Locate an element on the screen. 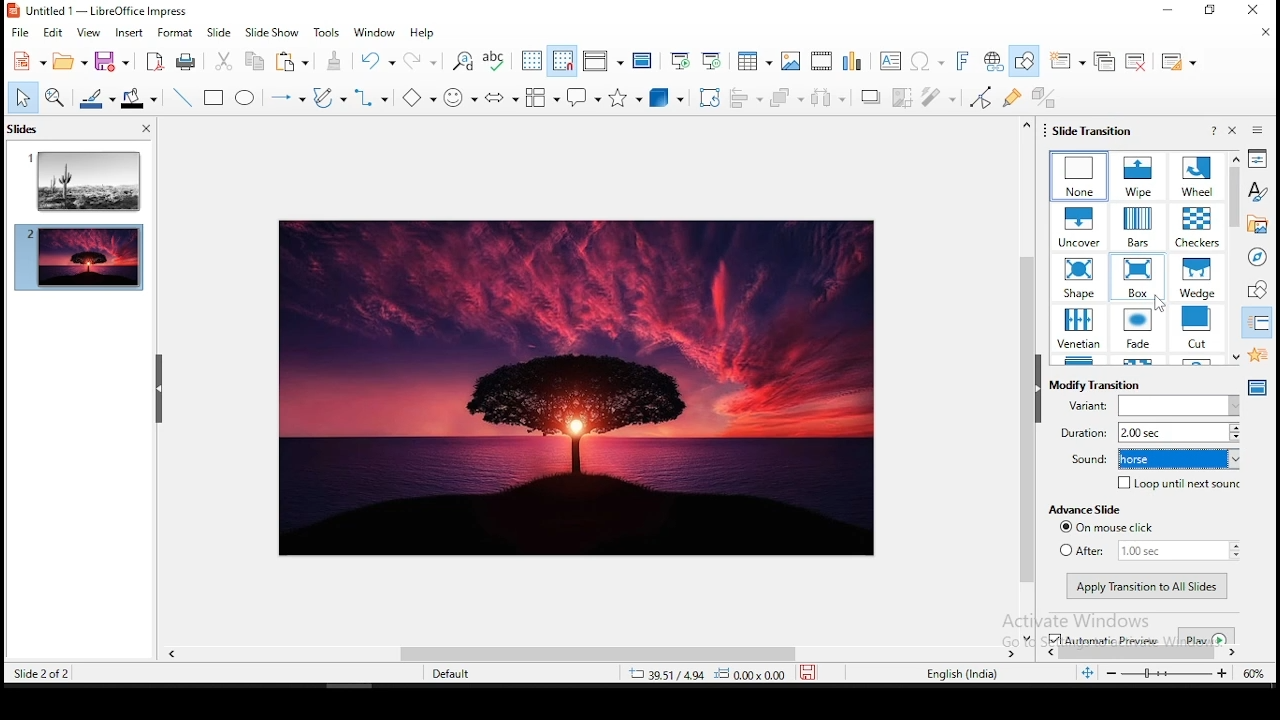 This screenshot has width=1280, height=720. file is located at coordinates (20, 33).